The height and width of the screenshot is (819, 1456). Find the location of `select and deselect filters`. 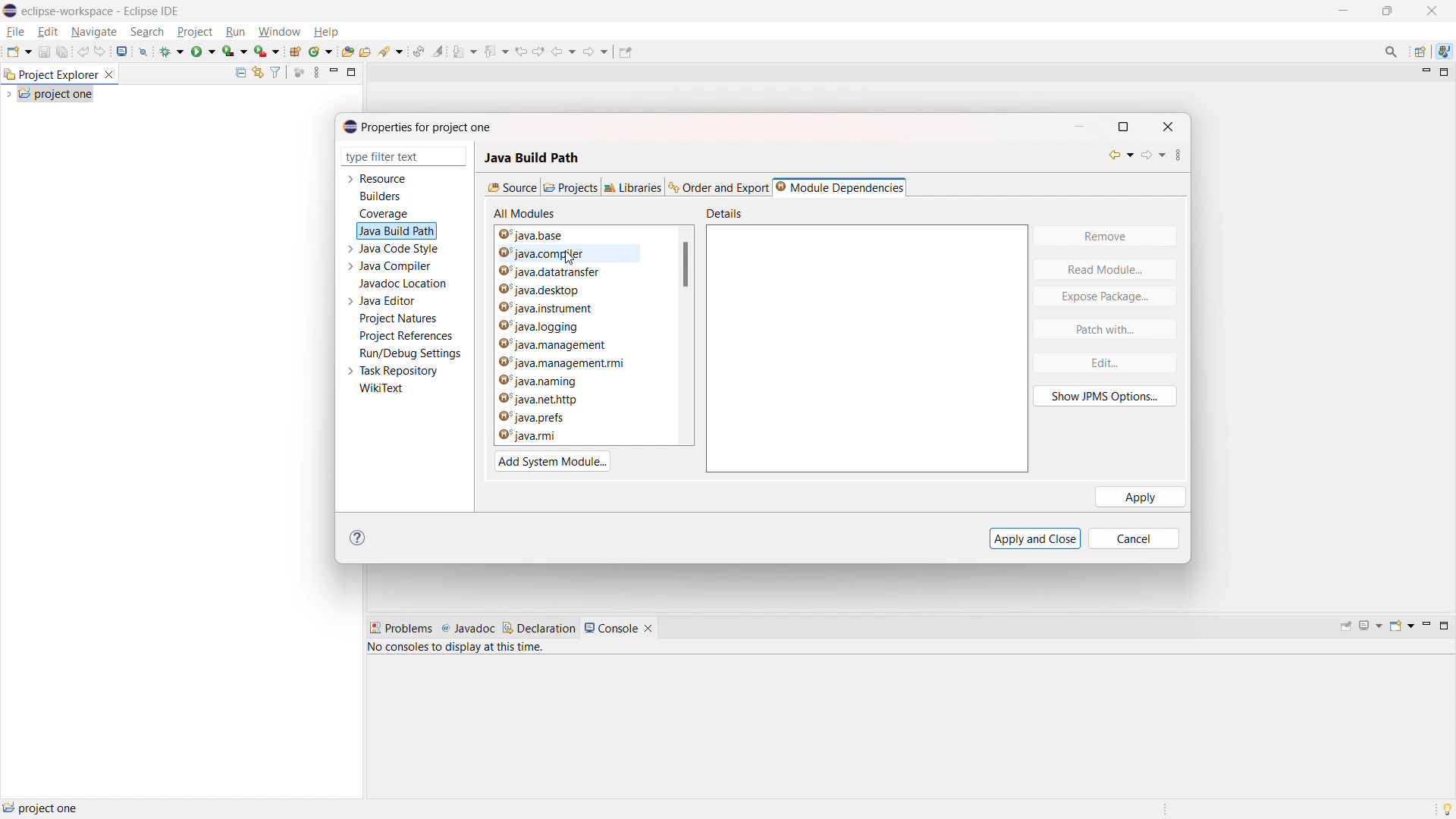

select and deselect filters is located at coordinates (275, 73).